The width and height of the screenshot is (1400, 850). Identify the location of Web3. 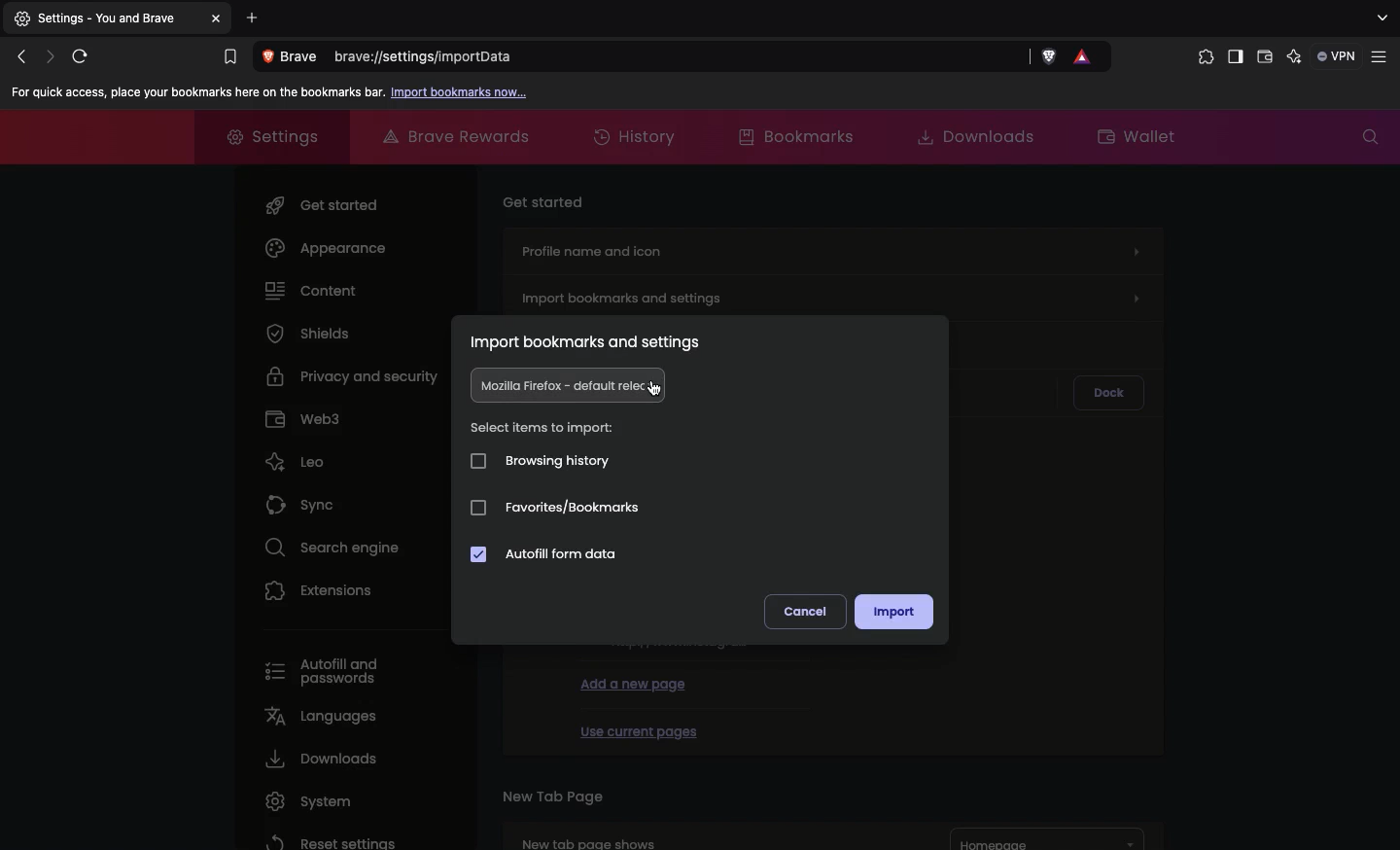
(303, 416).